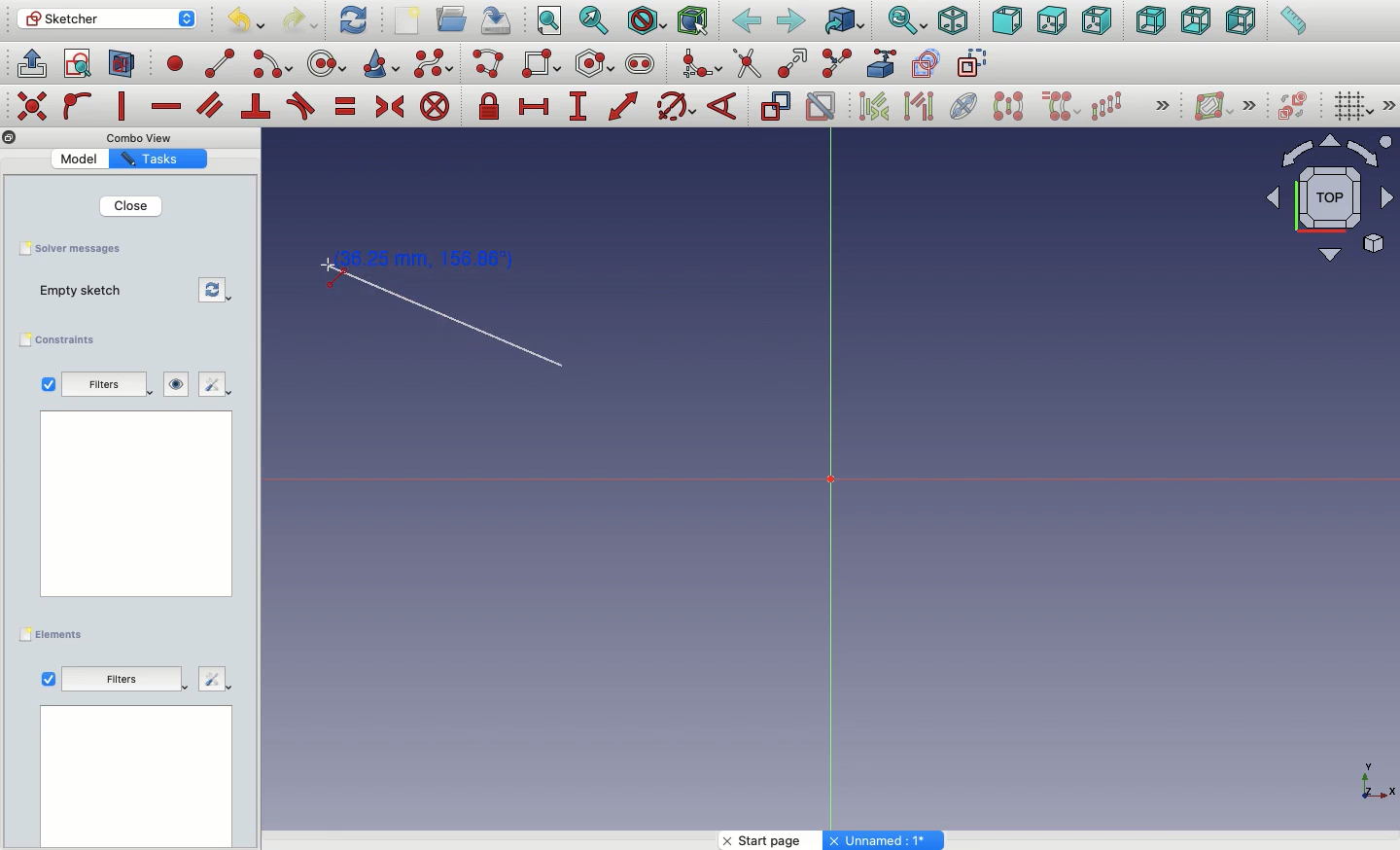  I want to click on Measure, so click(1291, 22).